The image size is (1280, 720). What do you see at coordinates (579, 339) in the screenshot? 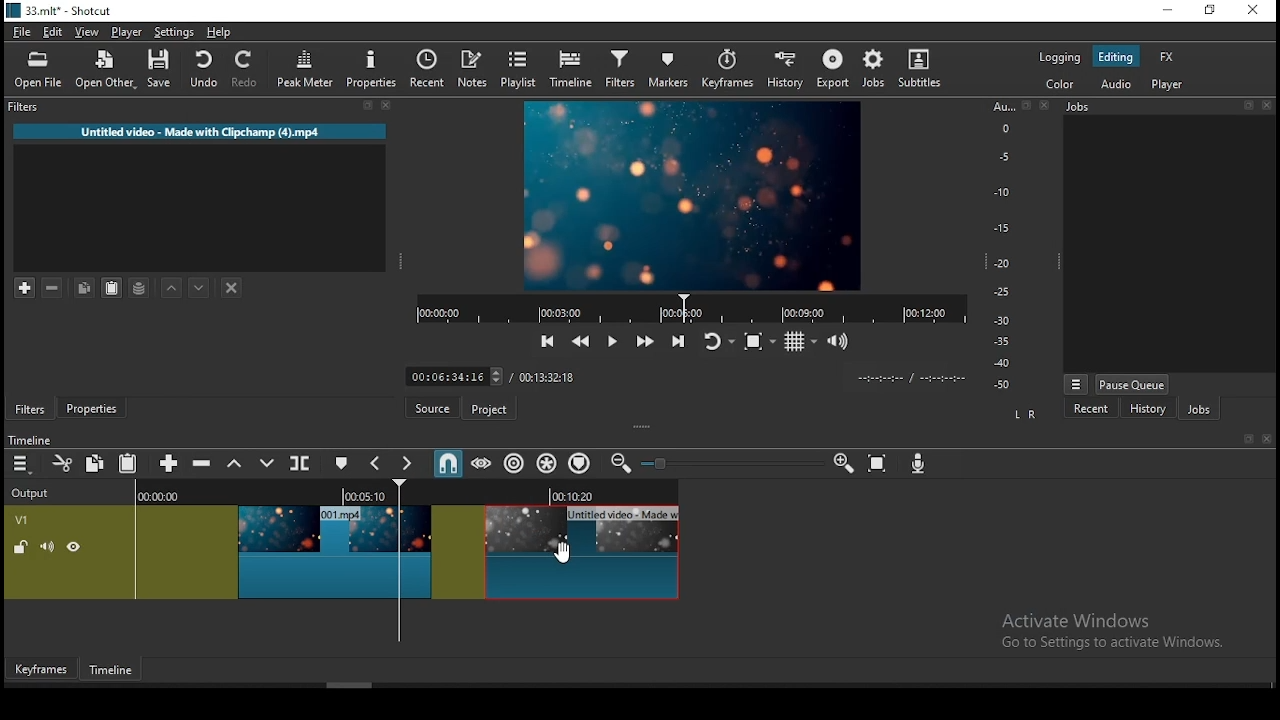
I see `play quickly backward` at bounding box center [579, 339].